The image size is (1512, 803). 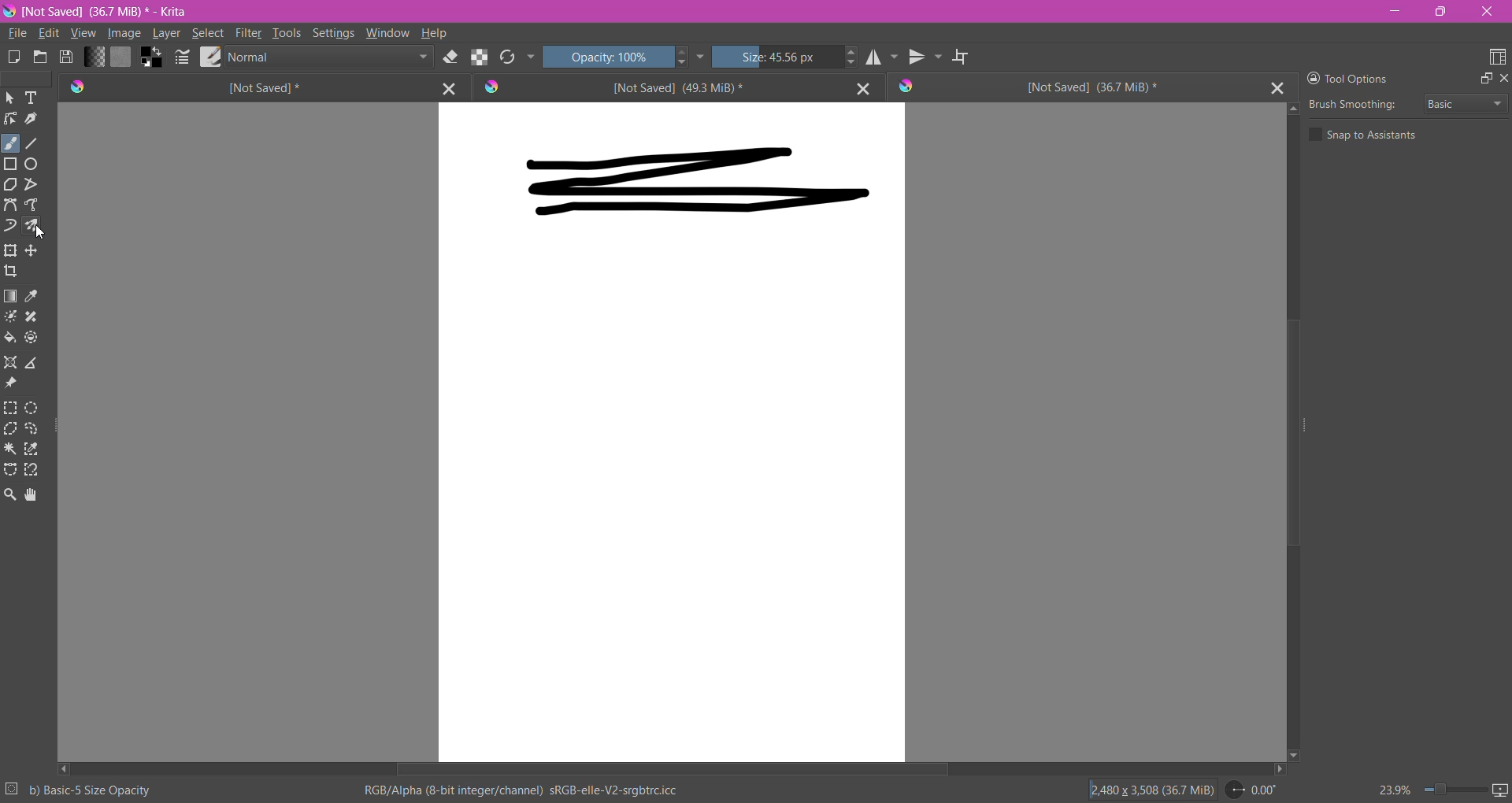 I want to click on Close, so click(x=1486, y=13).